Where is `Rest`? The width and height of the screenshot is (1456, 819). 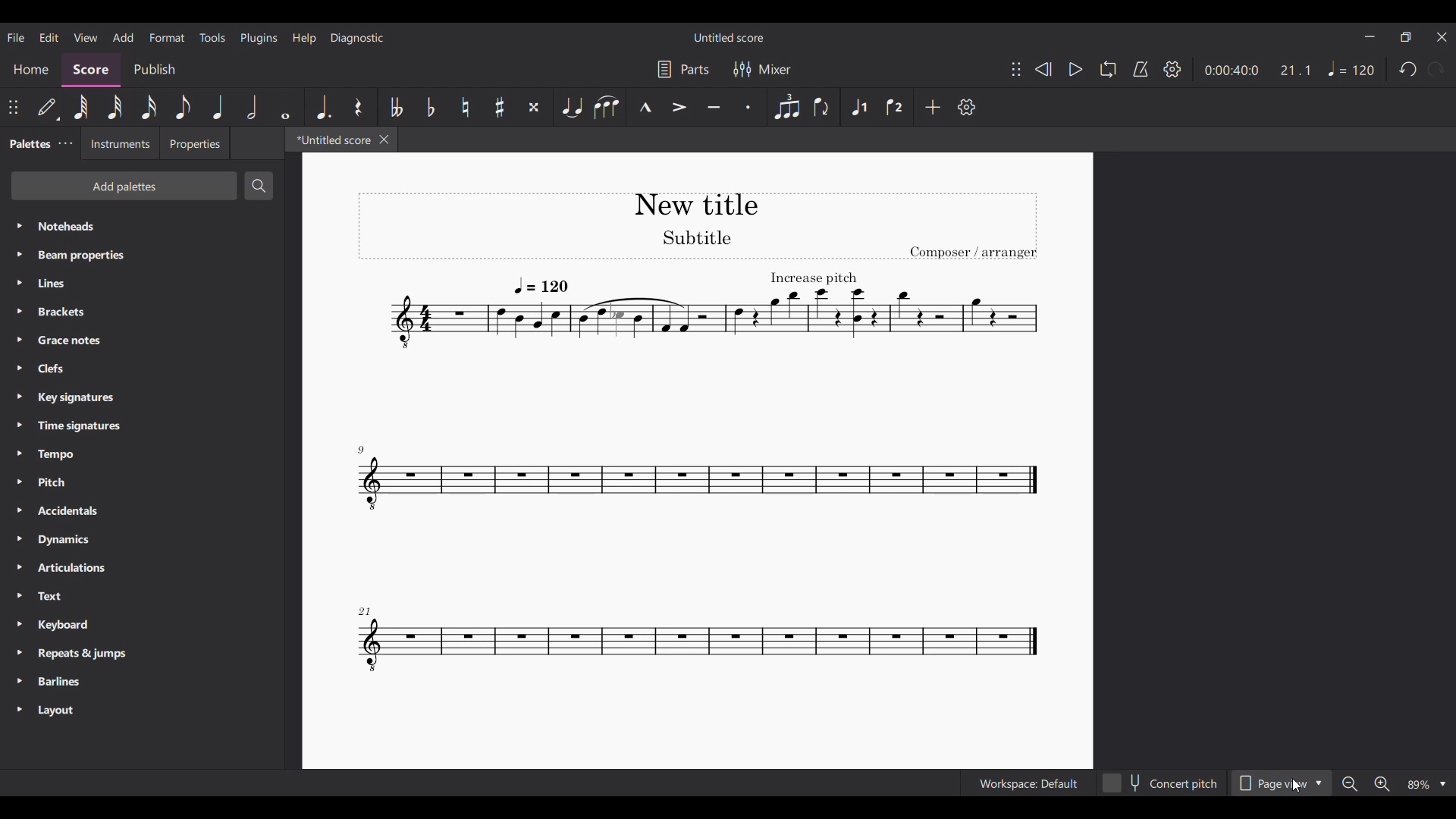 Rest is located at coordinates (359, 107).